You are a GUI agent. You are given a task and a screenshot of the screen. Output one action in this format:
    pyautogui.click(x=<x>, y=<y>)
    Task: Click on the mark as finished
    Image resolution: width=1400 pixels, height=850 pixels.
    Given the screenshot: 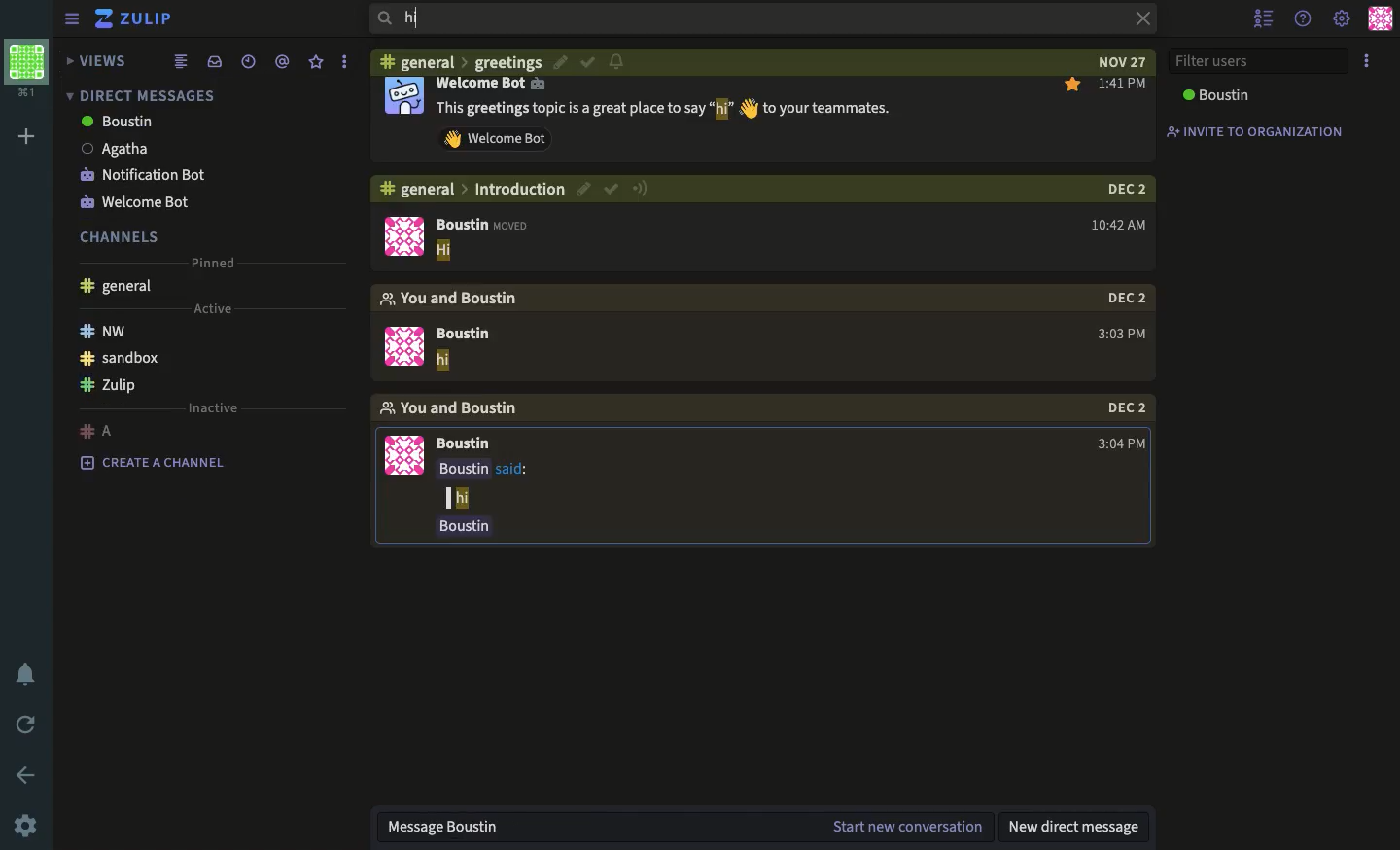 What is the action you would take?
    pyautogui.click(x=585, y=62)
    